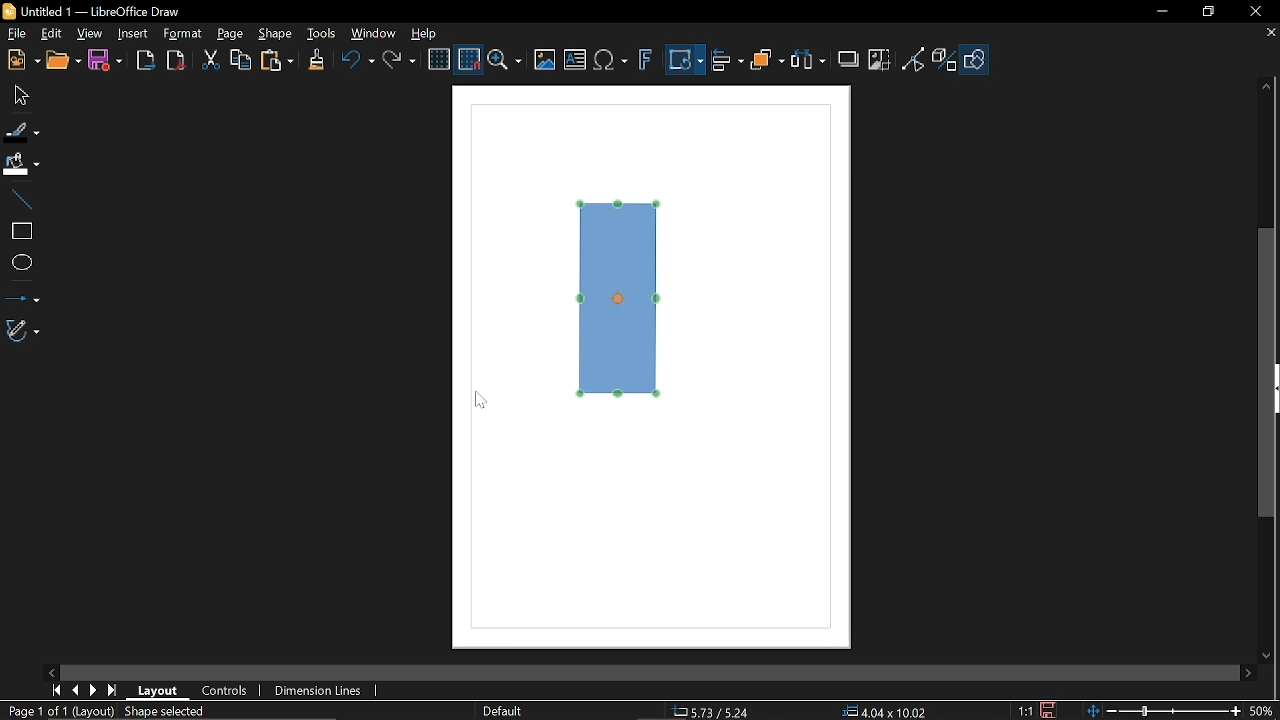  What do you see at coordinates (16, 34) in the screenshot?
I see `File` at bounding box center [16, 34].